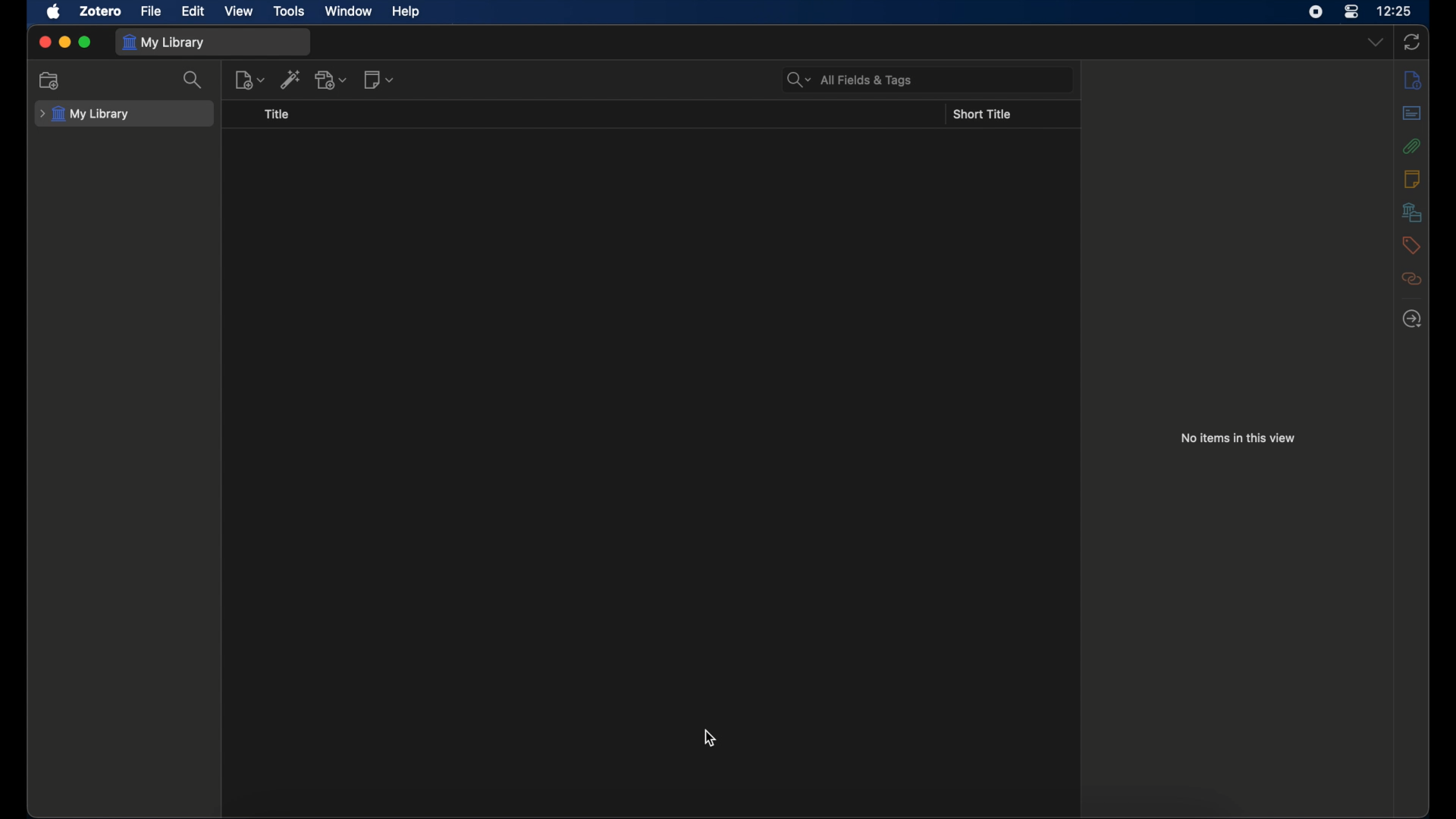  Describe the element at coordinates (379, 80) in the screenshot. I see `new notes` at that location.